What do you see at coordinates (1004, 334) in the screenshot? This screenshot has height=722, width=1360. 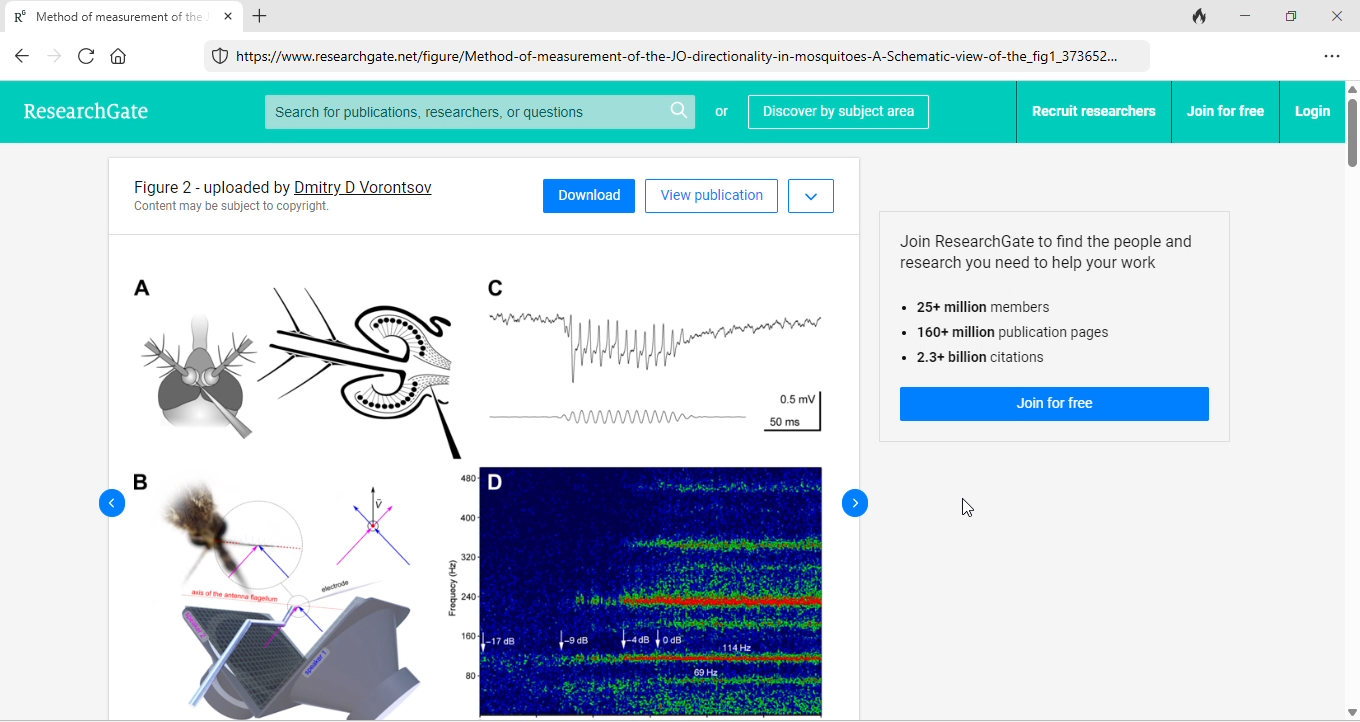 I see `«160+ million publication pages` at bounding box center [1004, 334].